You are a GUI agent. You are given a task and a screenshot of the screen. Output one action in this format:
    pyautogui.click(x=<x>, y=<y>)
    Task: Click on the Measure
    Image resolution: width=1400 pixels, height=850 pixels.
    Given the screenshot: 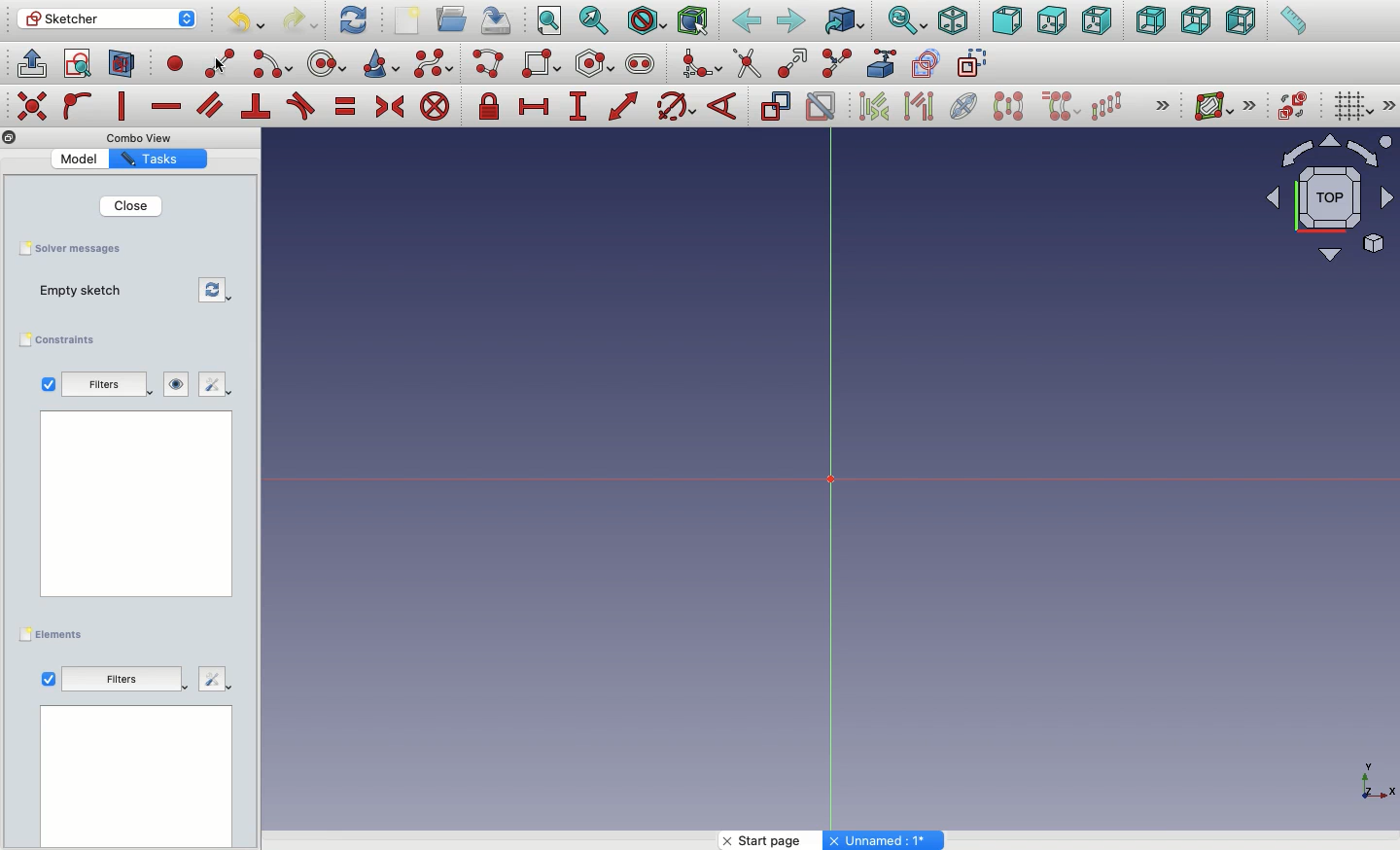 What is the action you would take?
    pyautogui.click(x=1291, y=22)
    